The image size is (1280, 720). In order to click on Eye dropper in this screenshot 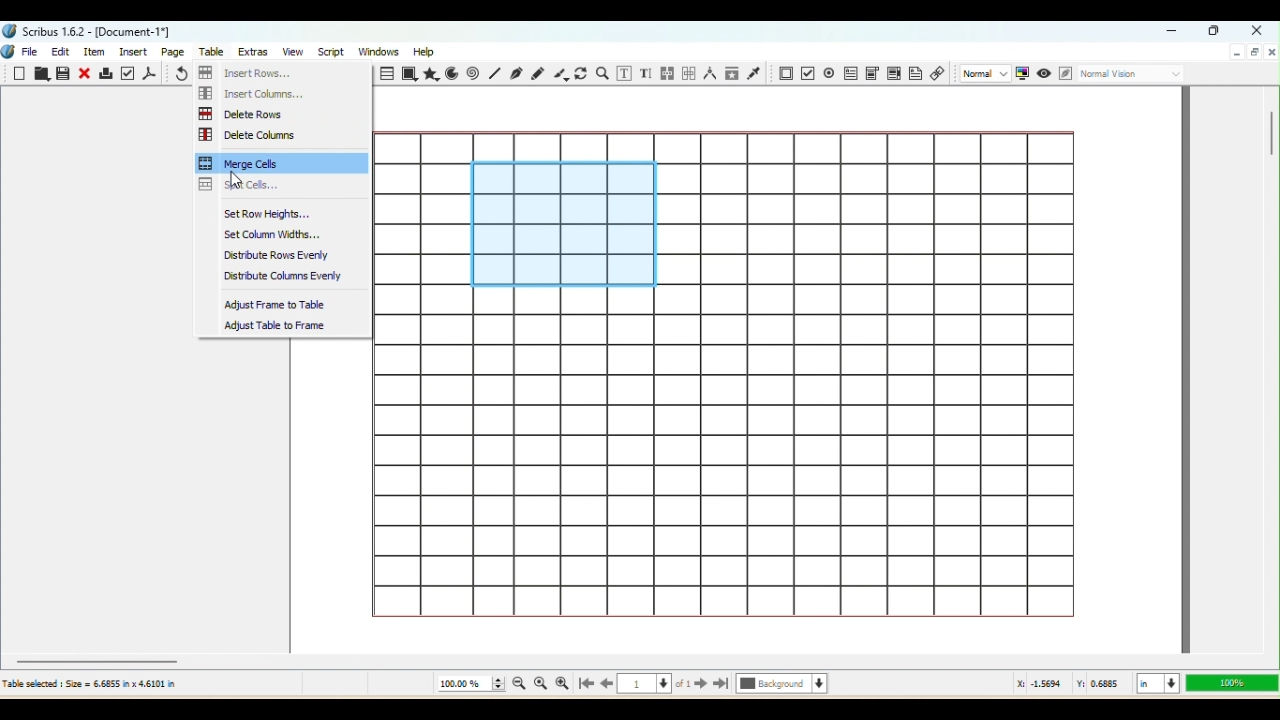, I will do `click(756, 74)`.